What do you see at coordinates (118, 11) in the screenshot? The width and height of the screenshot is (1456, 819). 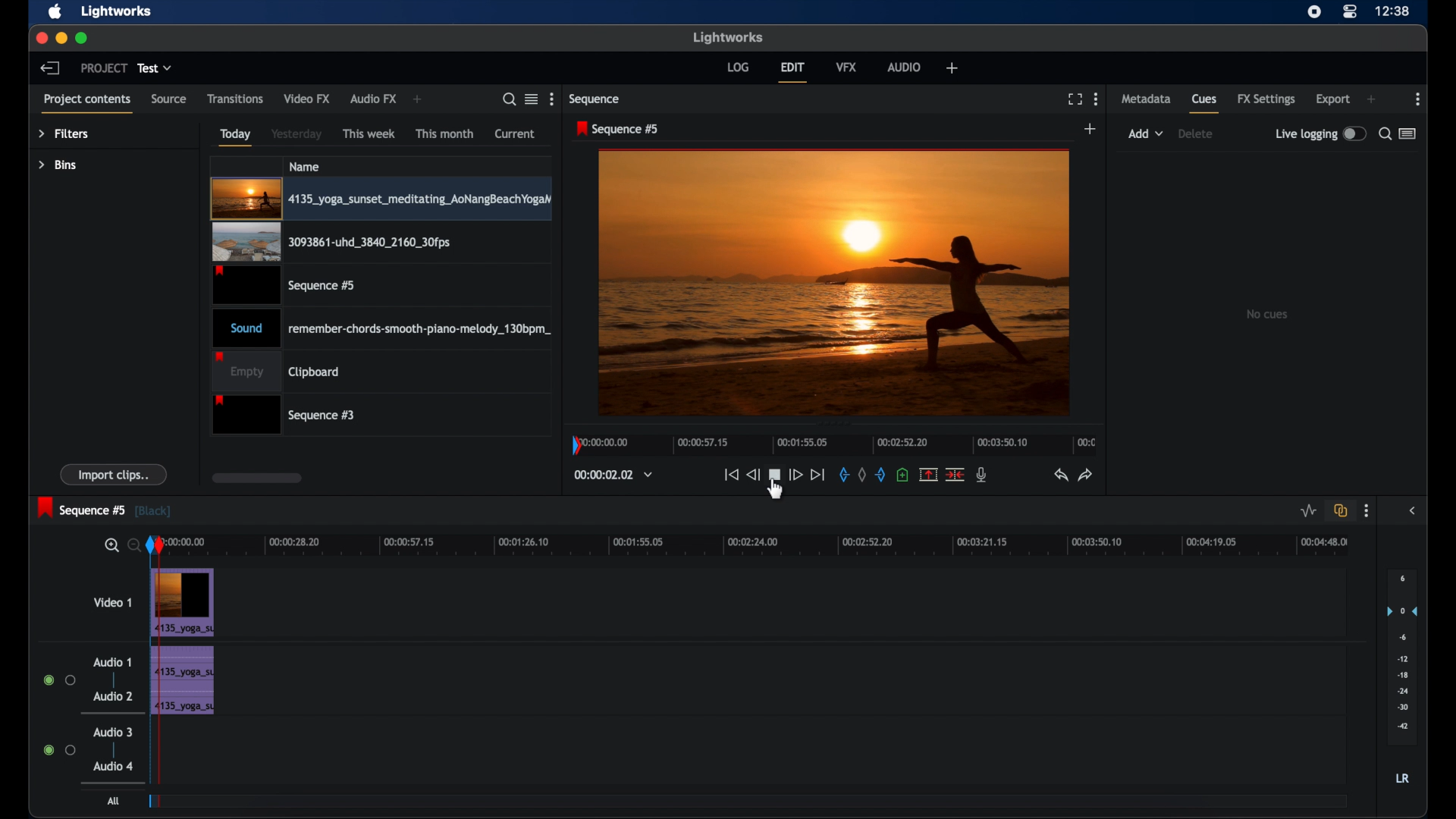 I see `lightworks` at bounding box center [118, 11].